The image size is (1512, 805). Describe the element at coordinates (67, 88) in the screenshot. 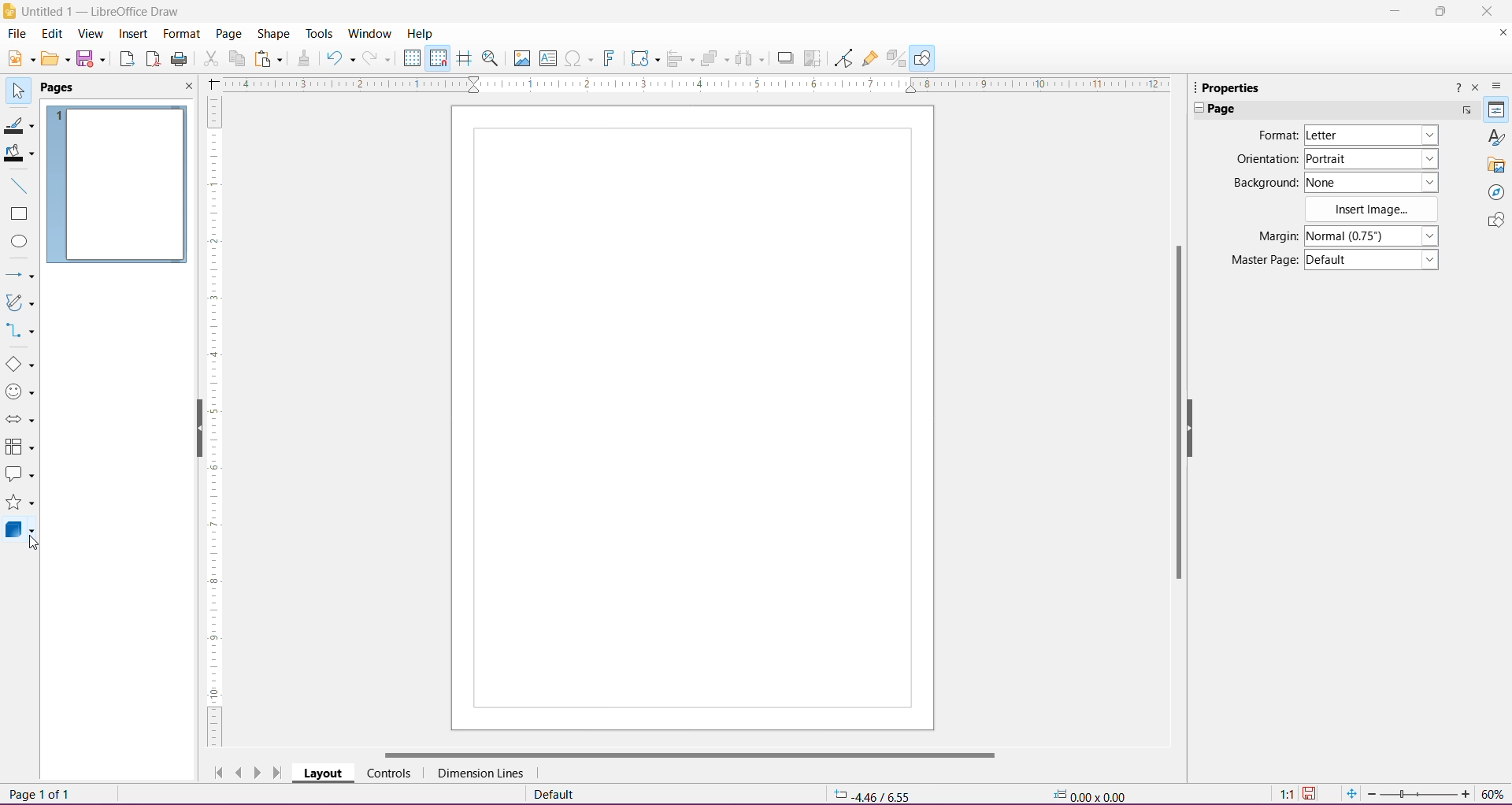

I see `Page` at that location.